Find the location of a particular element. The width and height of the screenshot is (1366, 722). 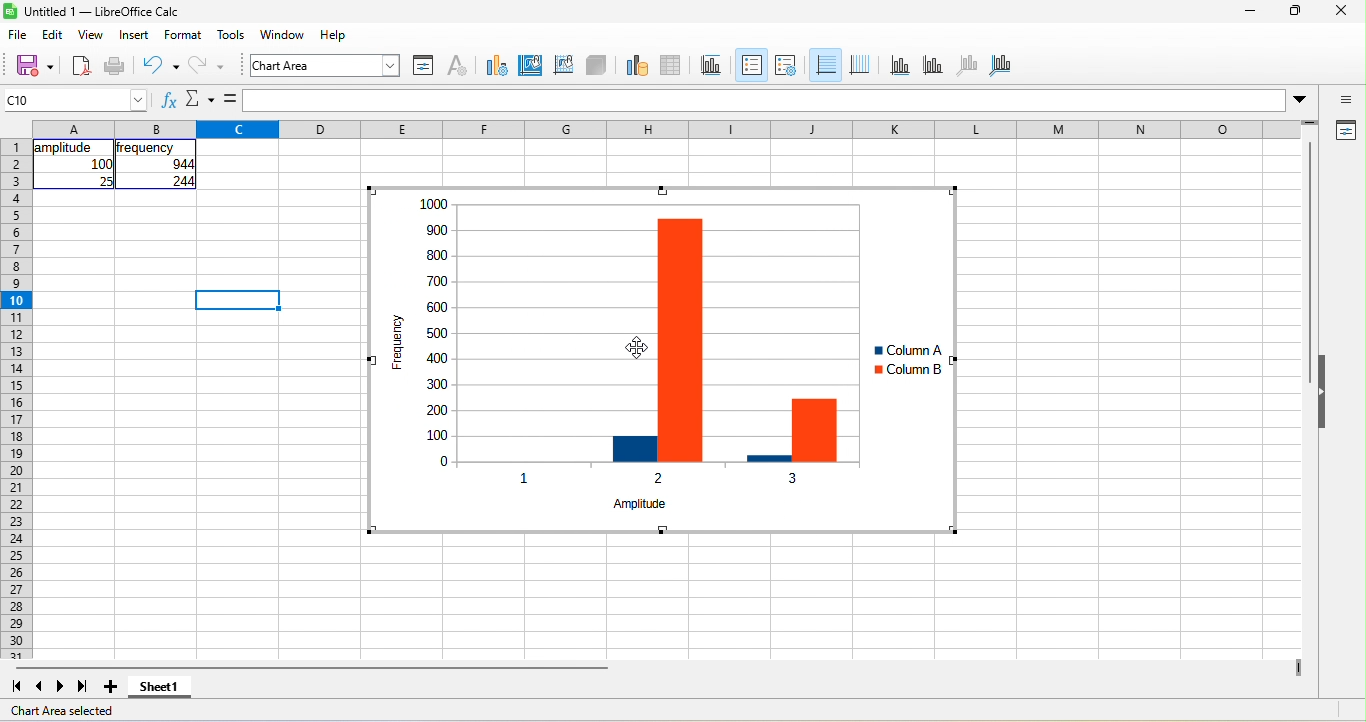

file is located at coordinates (18, 34).